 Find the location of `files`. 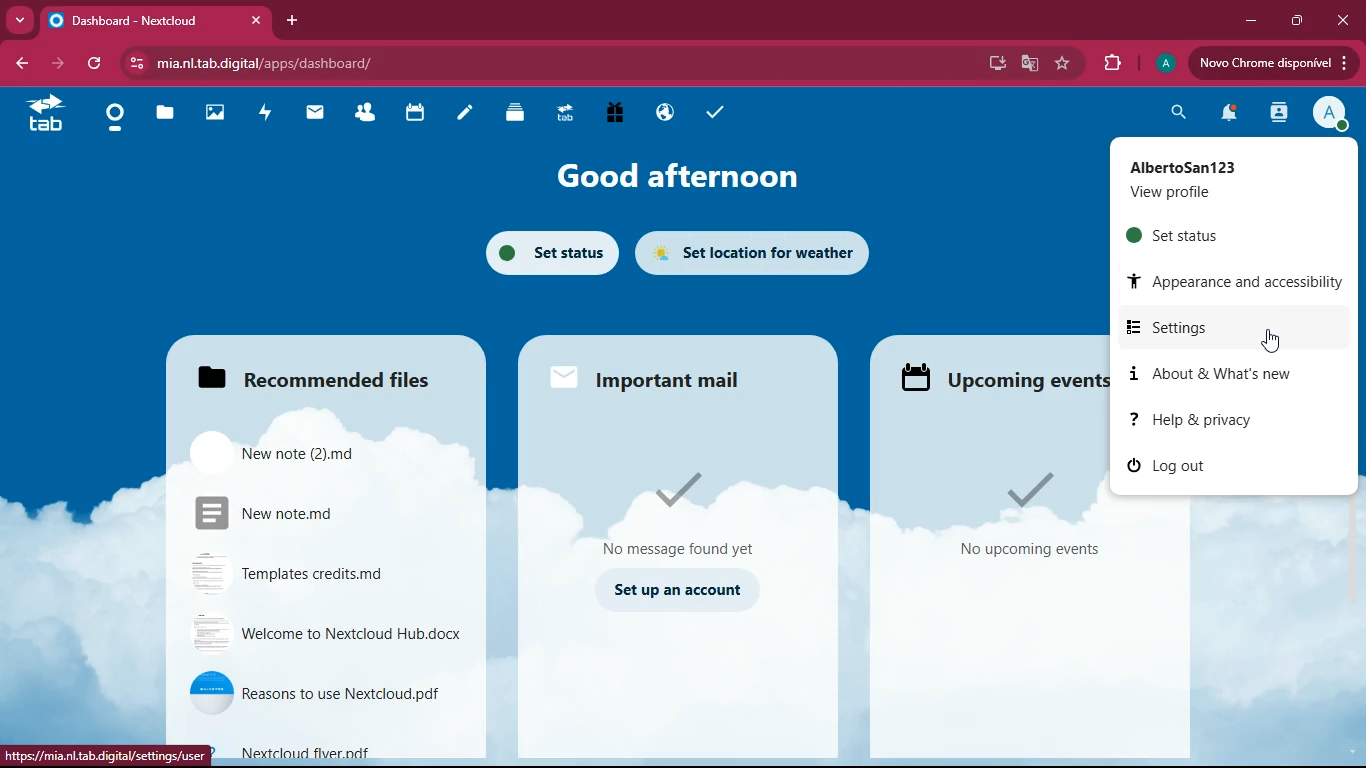

files is located at coordinates (519, 117).